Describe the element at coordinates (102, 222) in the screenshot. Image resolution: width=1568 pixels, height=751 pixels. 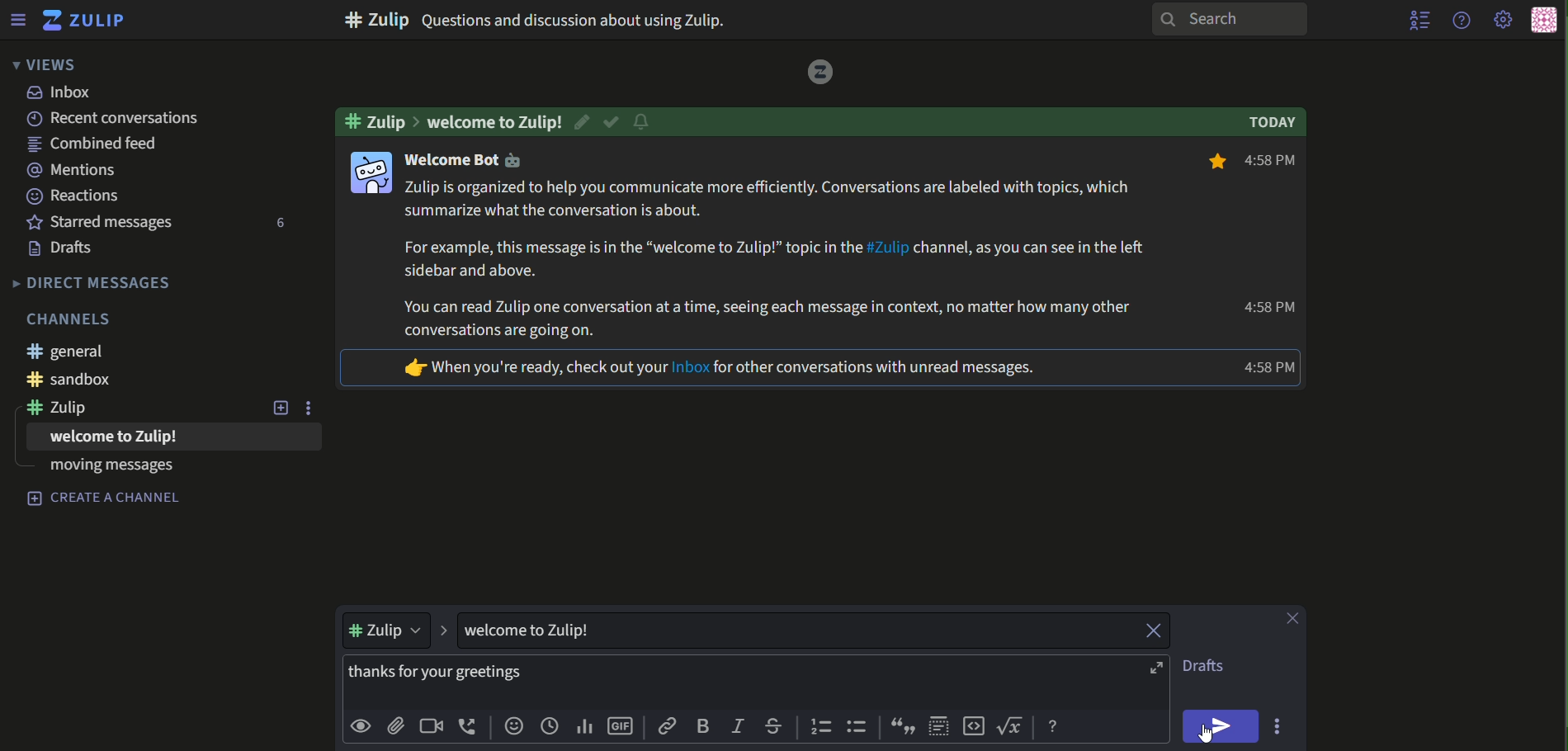
I see `text` at that location.